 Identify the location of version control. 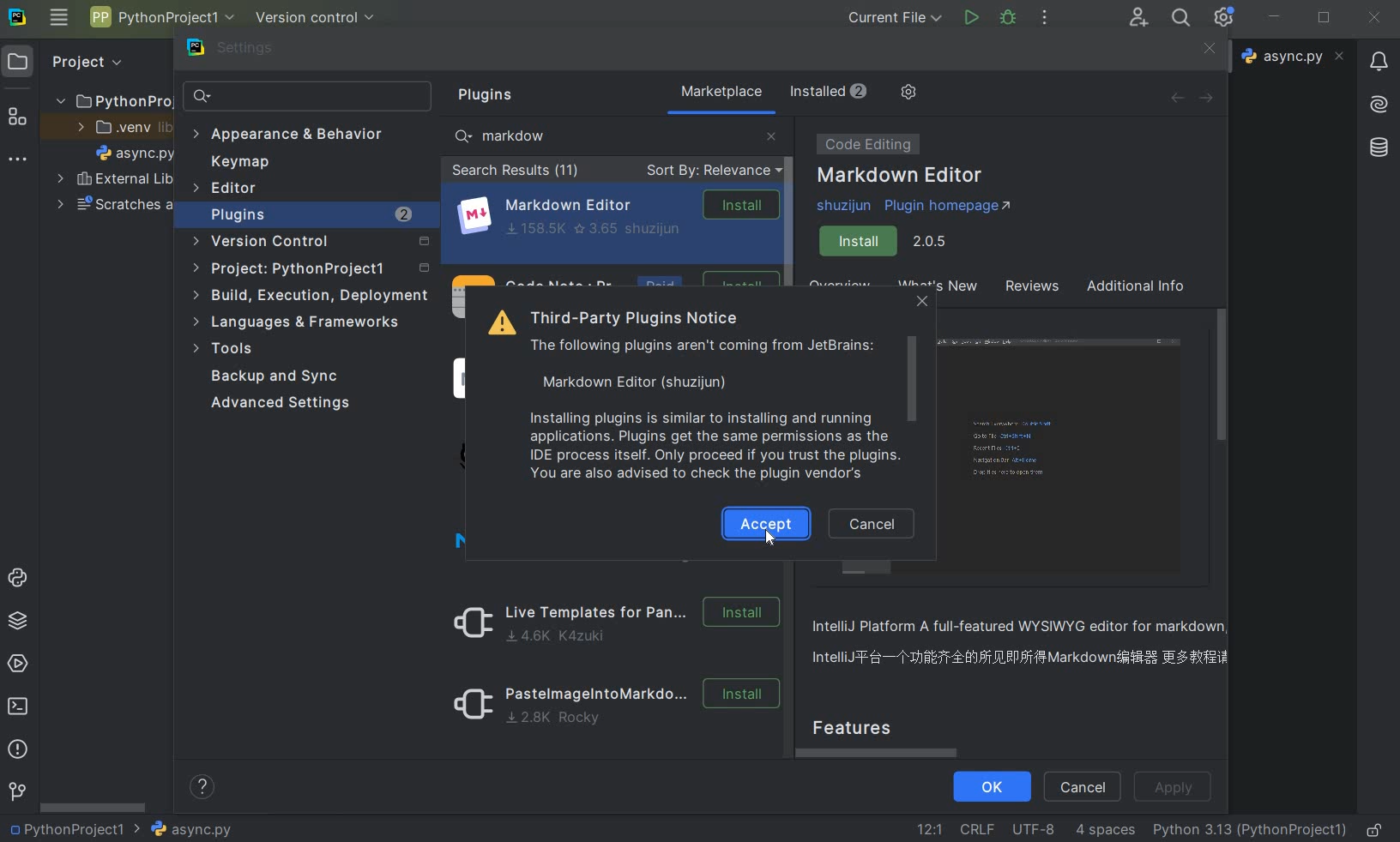
(311, 244).